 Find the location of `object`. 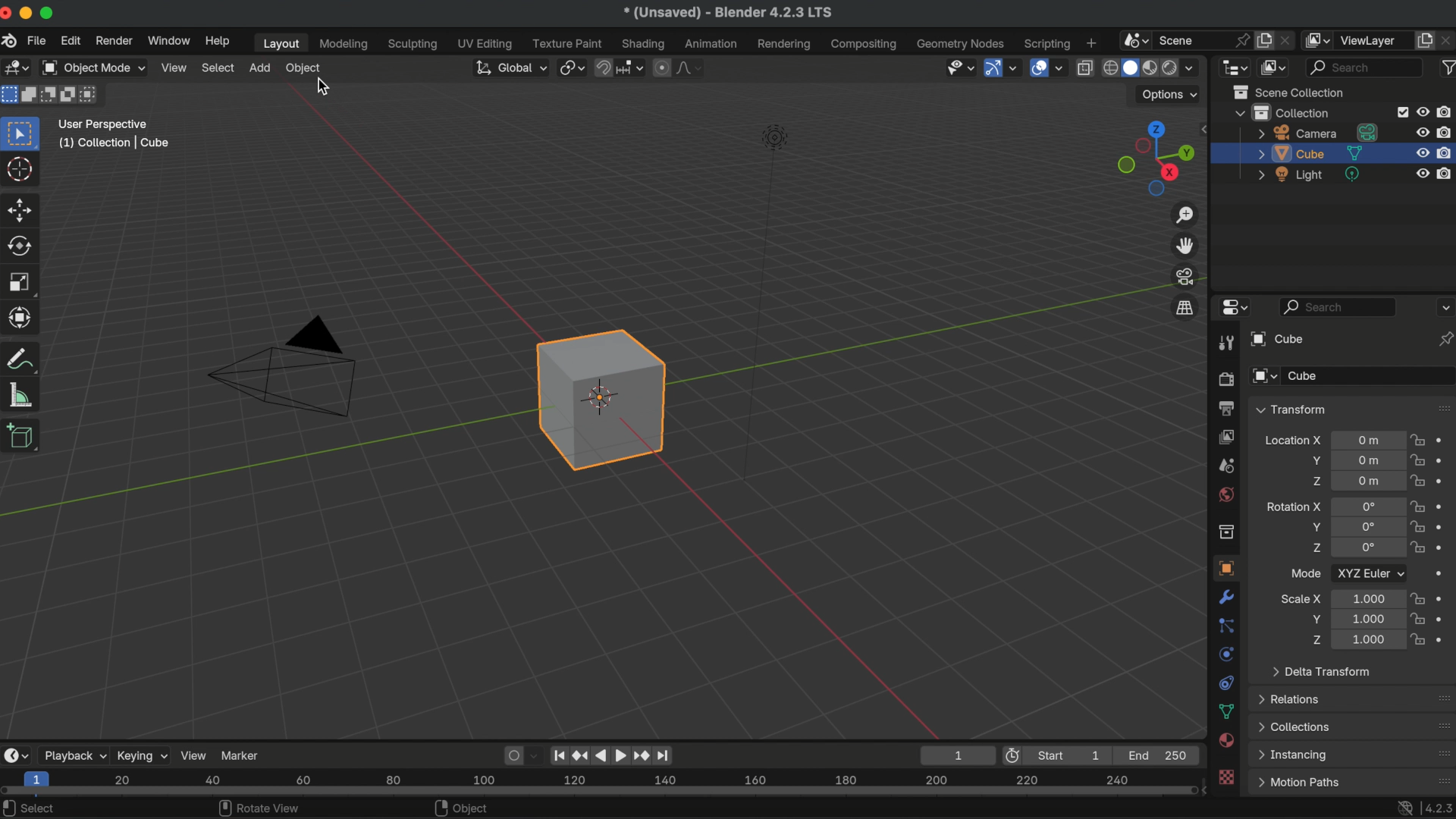

object is located at coordinates (1224, 568).